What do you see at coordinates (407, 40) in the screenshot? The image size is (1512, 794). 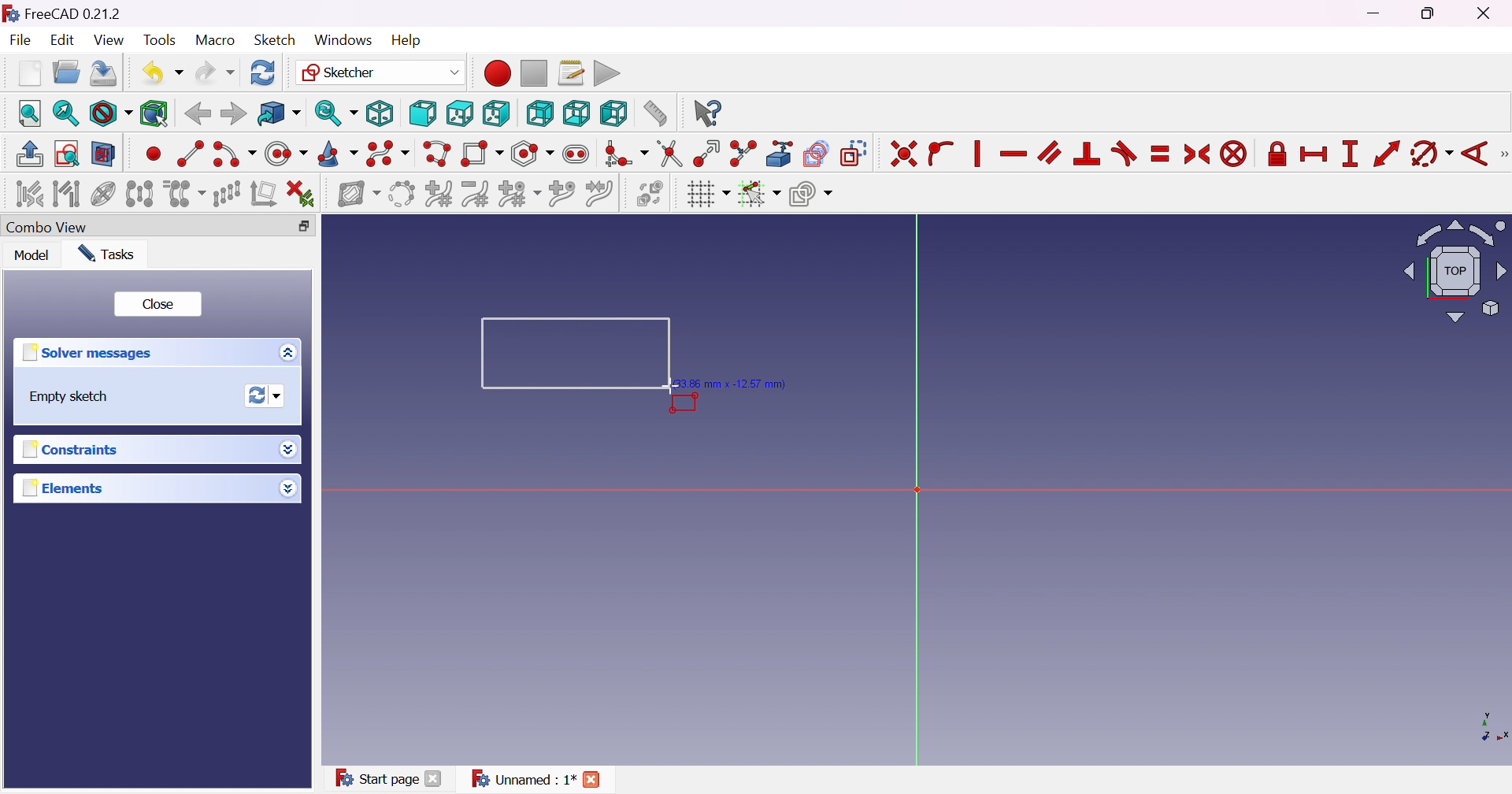 I see `Help` at bounding box center [407, 40].